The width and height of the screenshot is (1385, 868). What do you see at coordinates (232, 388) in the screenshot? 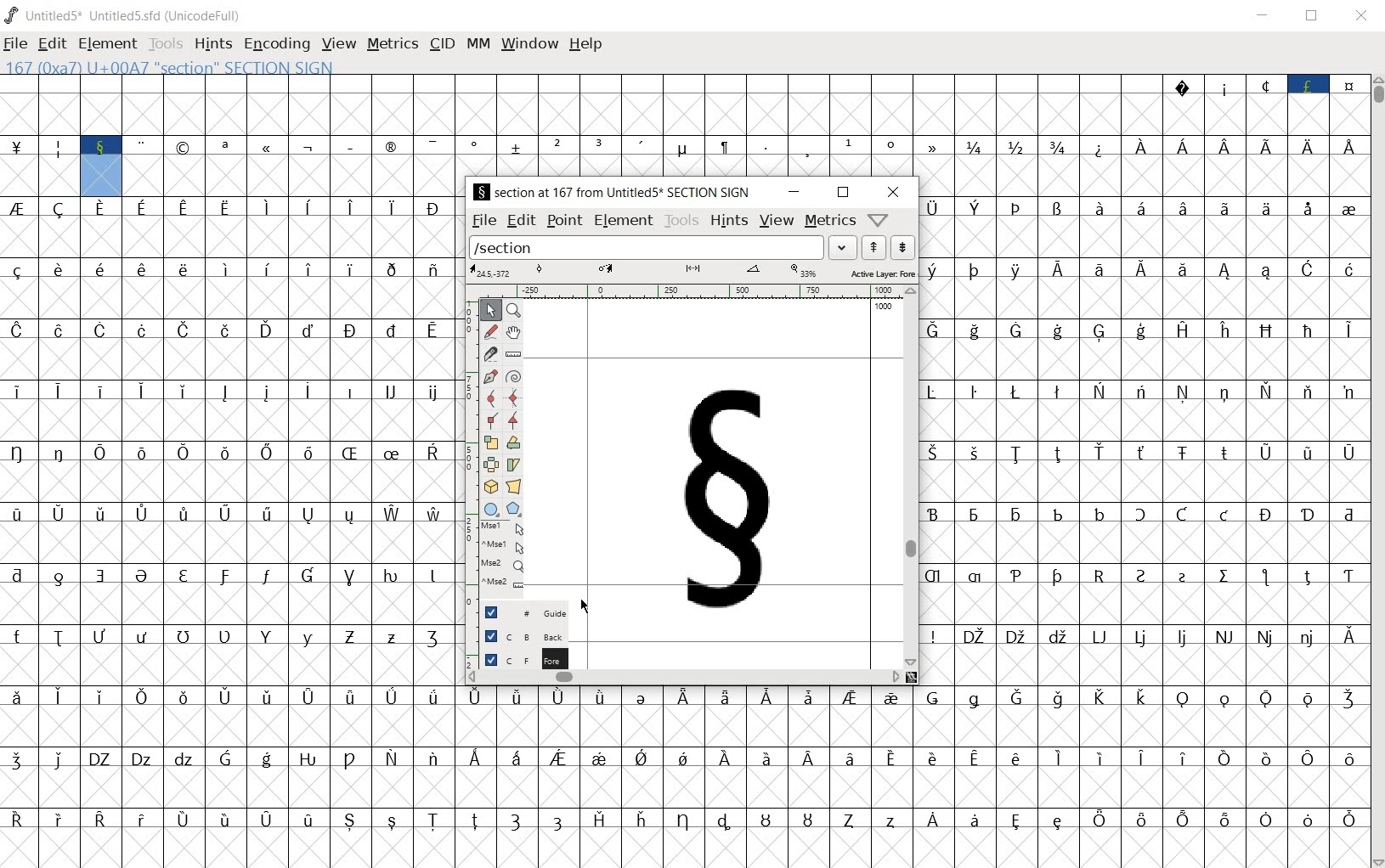
I see `` at bounding box center [232, 388].